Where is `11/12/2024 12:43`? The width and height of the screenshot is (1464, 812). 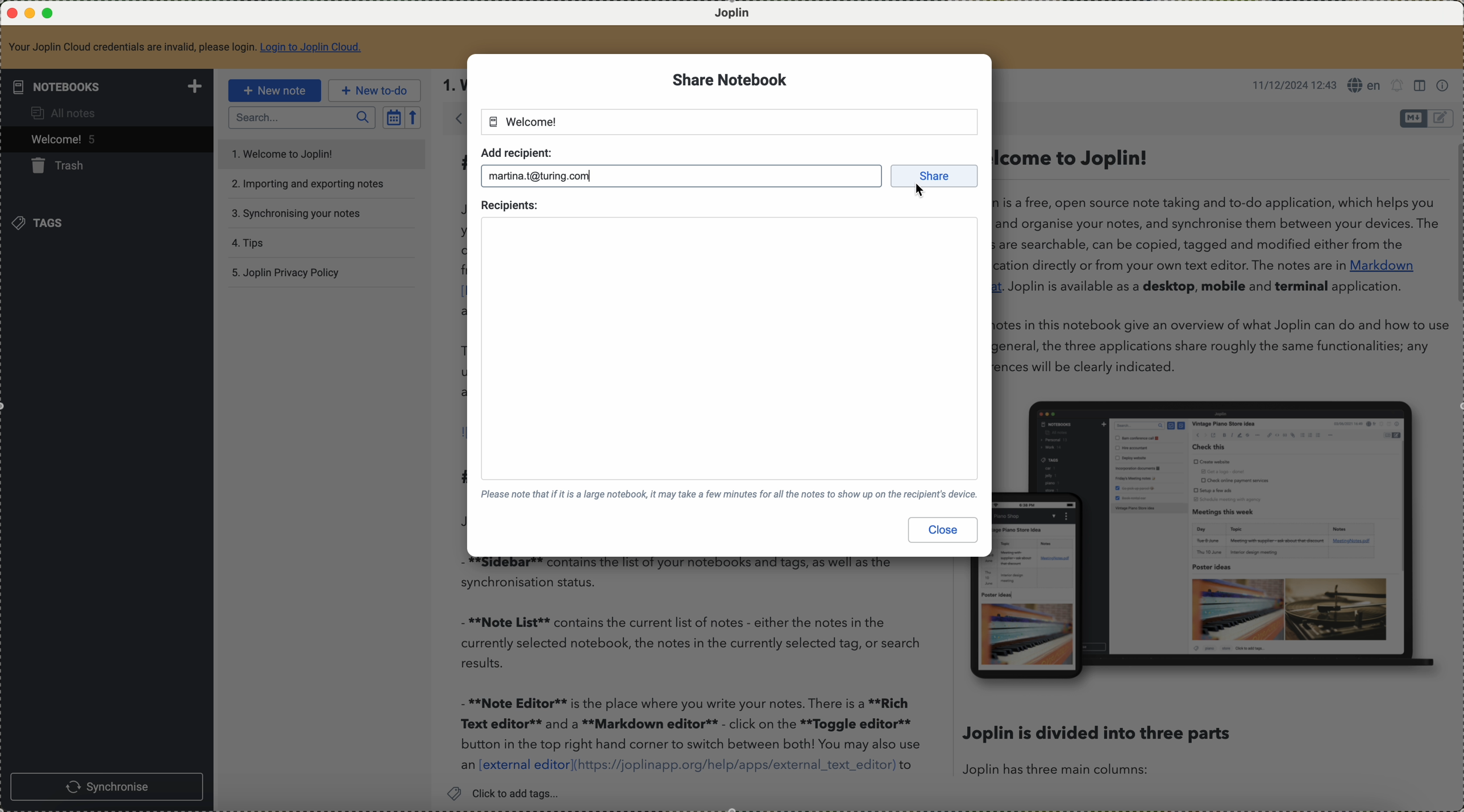 11/12/2024 12:43 is located at coordinates (1290, 85).